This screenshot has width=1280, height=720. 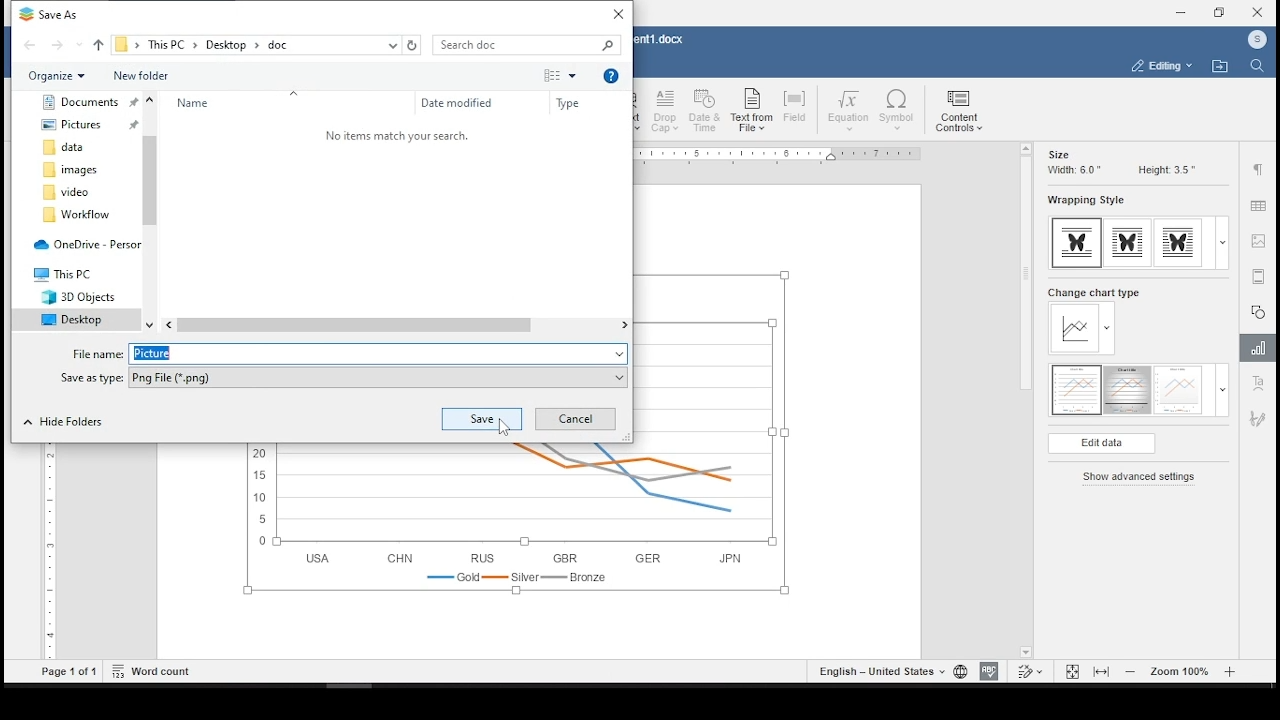 I want to click on chart settings, so click(x=1261, y=350).